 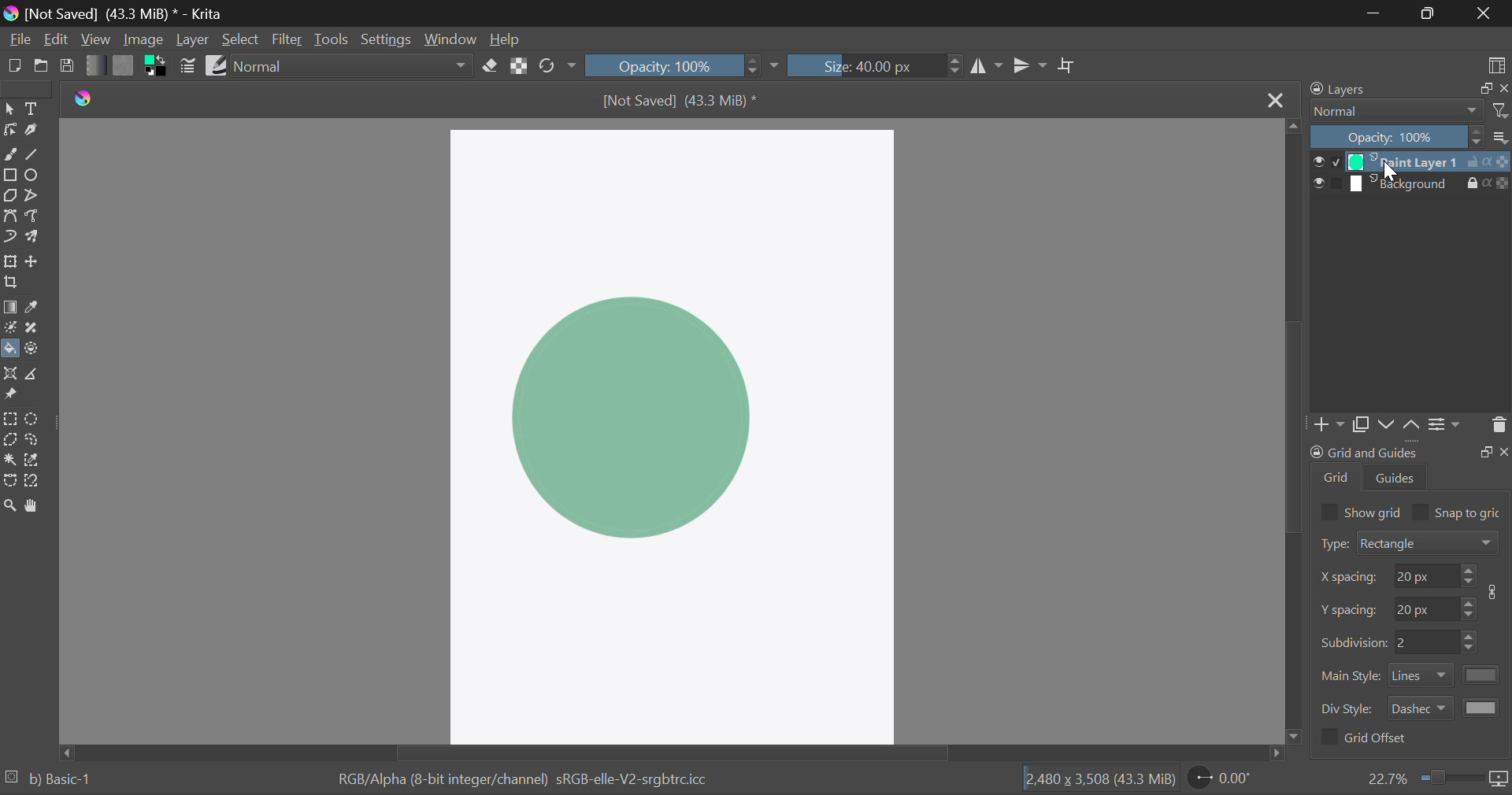 What do you see at coordinates (32, 152) in the screenshot?
I see `Line` at bounding box center [32, 152].